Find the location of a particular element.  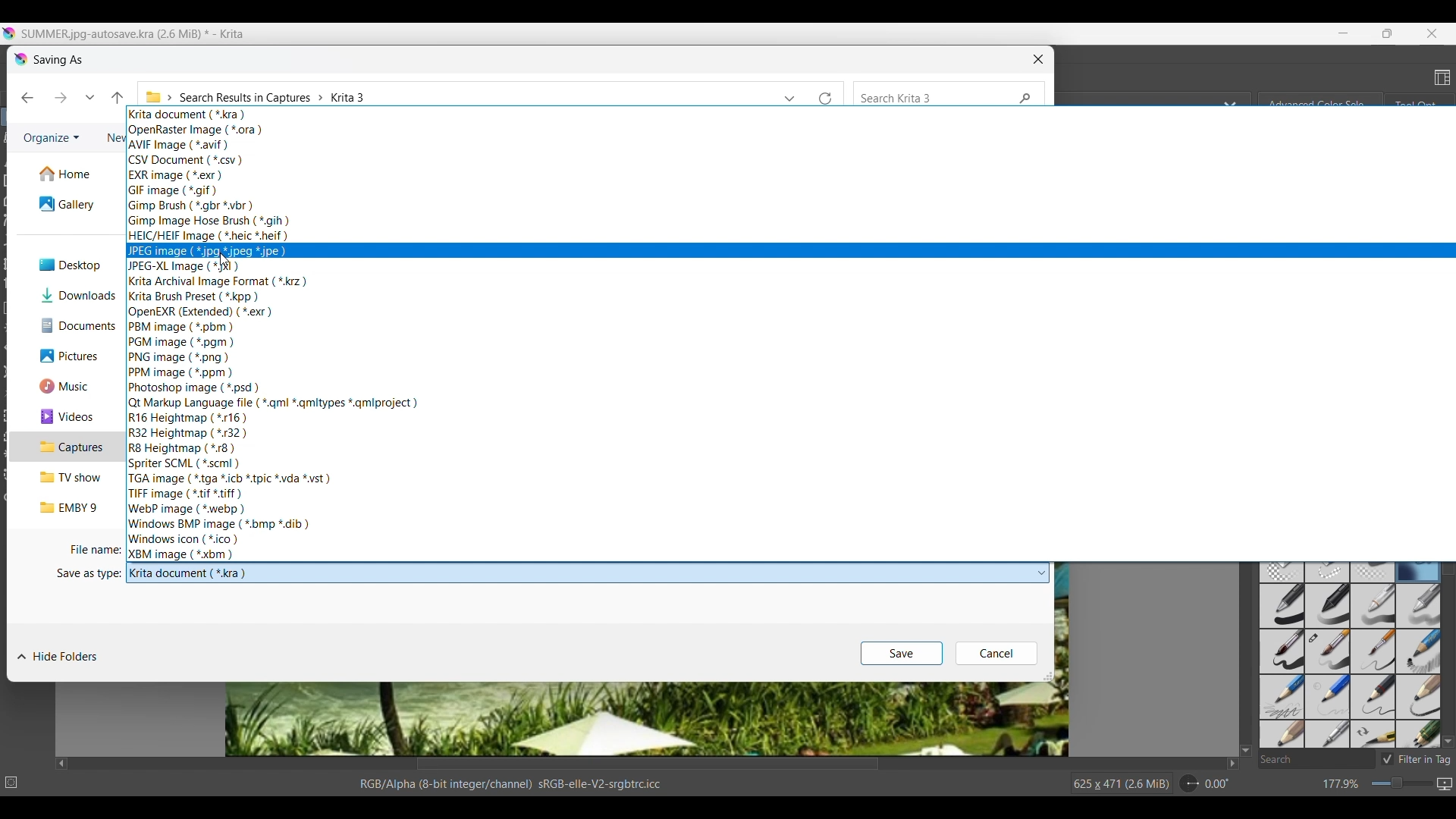

Current zoom factor is located at coordinates (1341, 784).